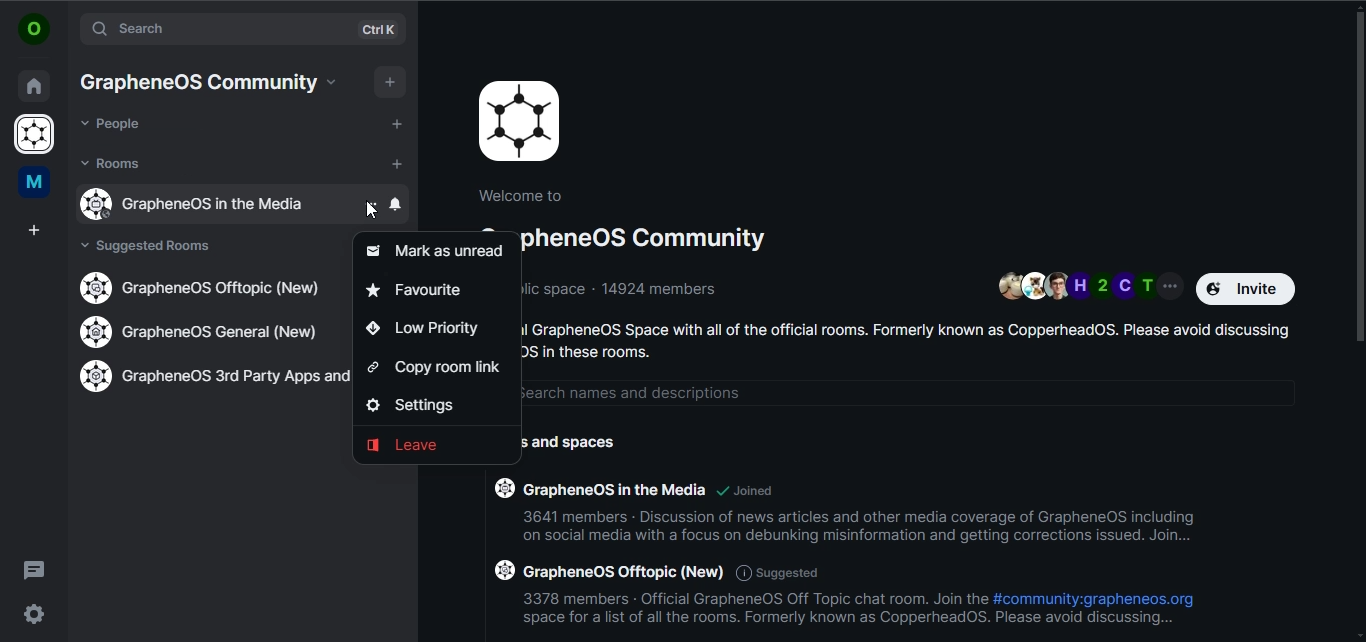 The width and height of the screenshot is (1366, 642). Describe the element at coordinates (1094, 599) in the screenshot. I see ` #communitv:arapheneos.ora` at that location.